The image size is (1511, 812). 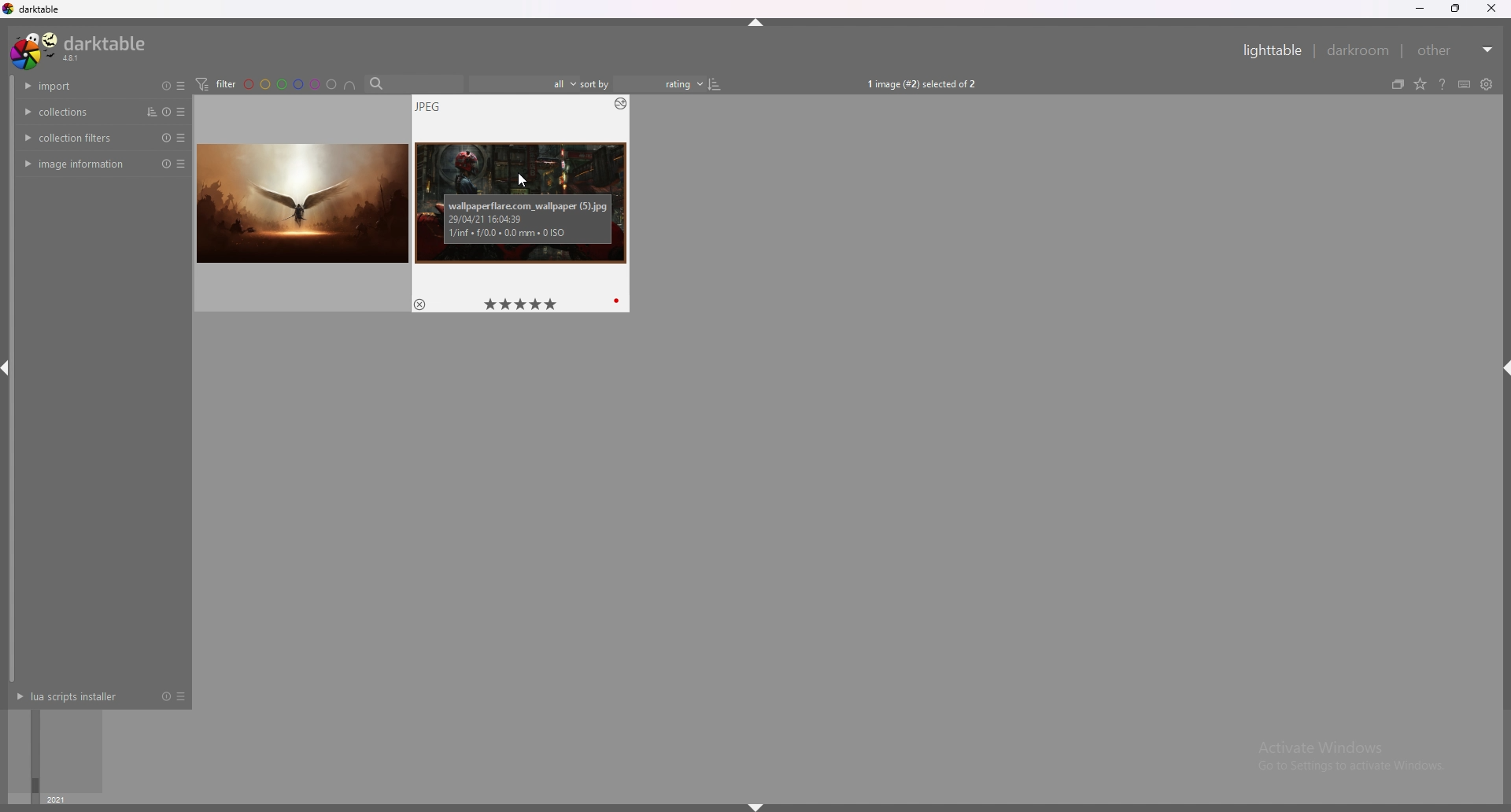 What do you see at coordinates (182, 696) in the screenshot?
I see `presets` at bounding box center [182, 696].